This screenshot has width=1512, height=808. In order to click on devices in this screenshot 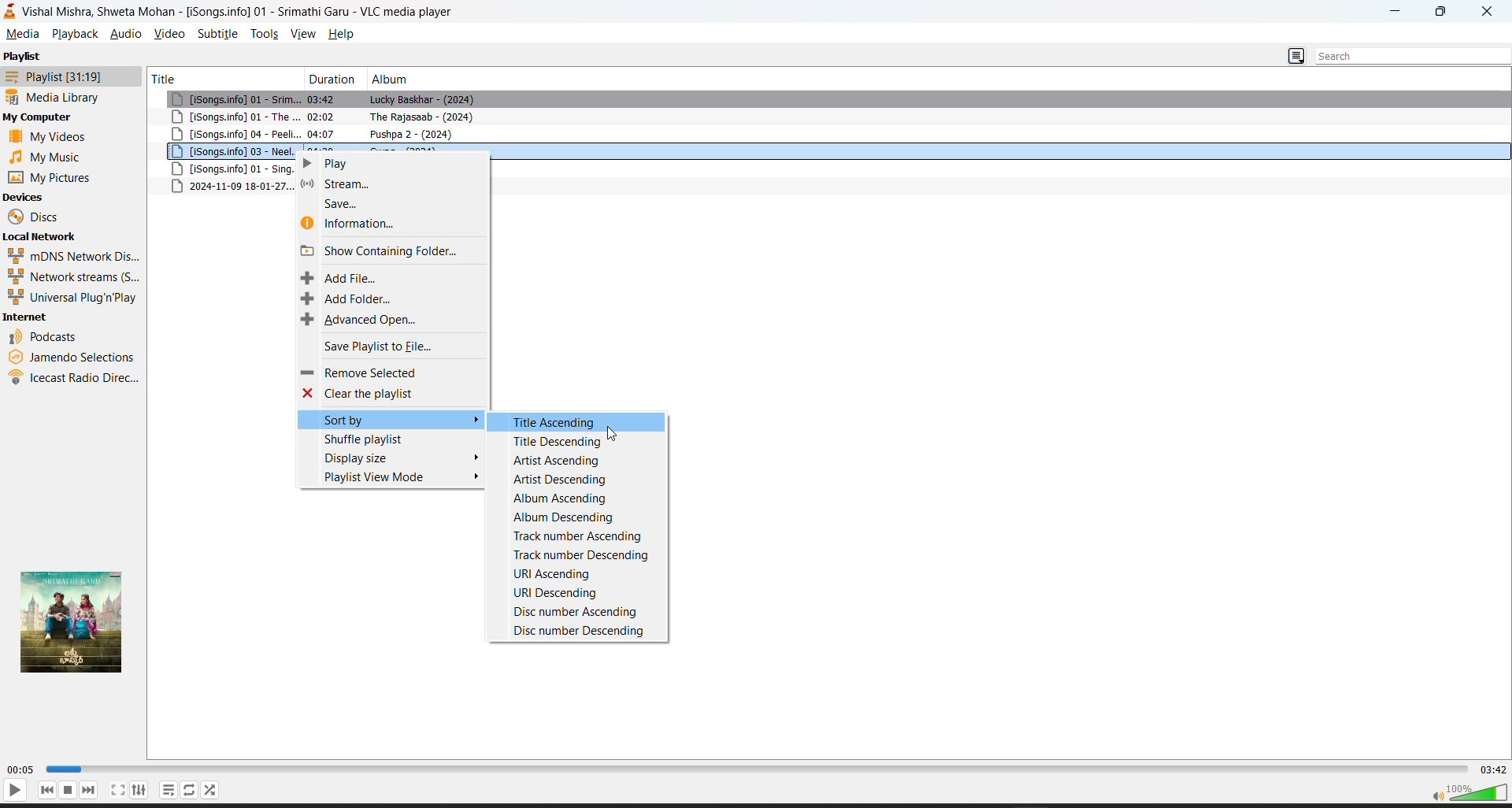, I will do `click(25, 198)`.